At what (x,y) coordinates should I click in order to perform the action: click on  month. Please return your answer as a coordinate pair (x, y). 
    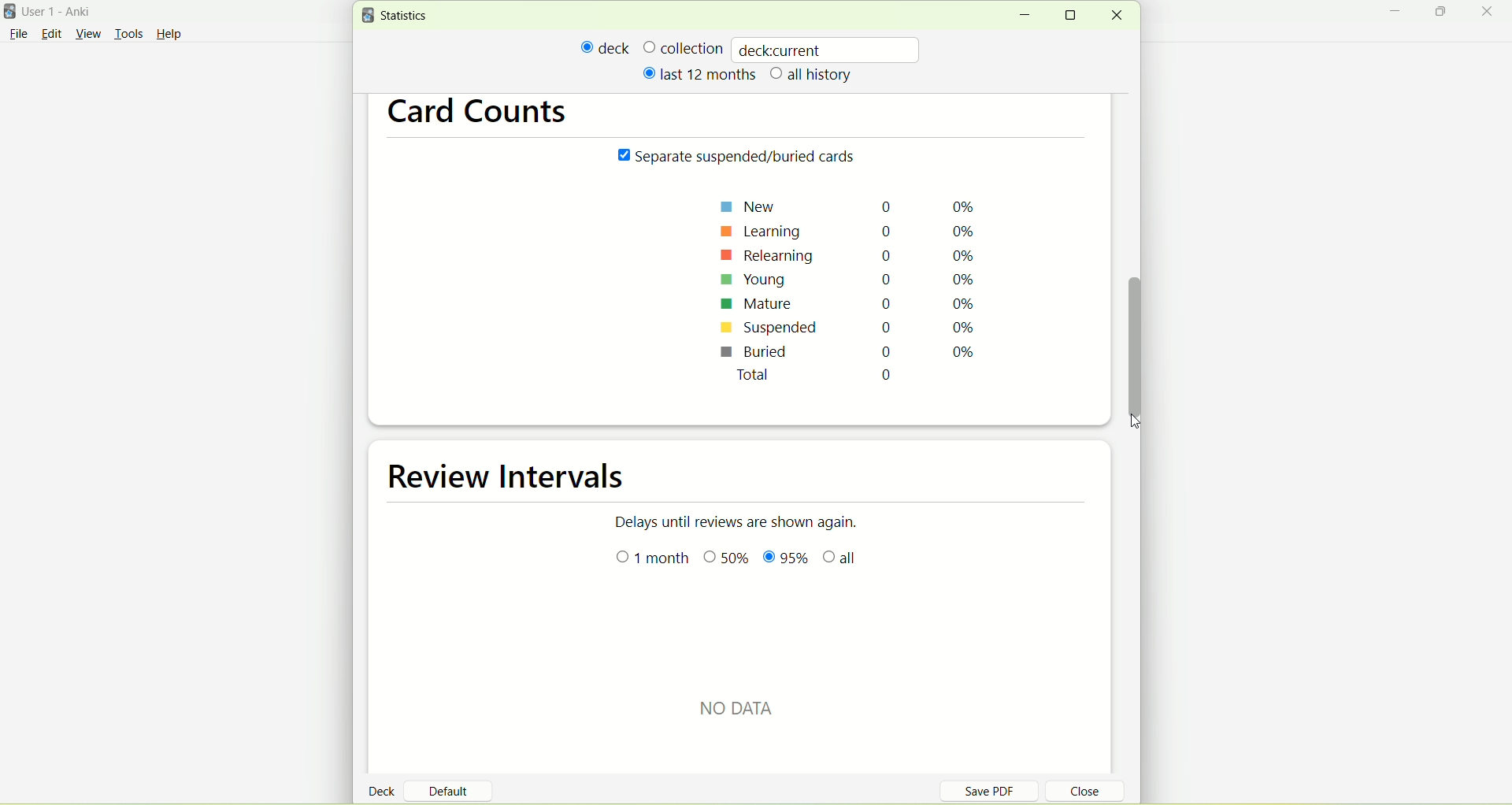
    Looking at the image, I should click on (654, 558).